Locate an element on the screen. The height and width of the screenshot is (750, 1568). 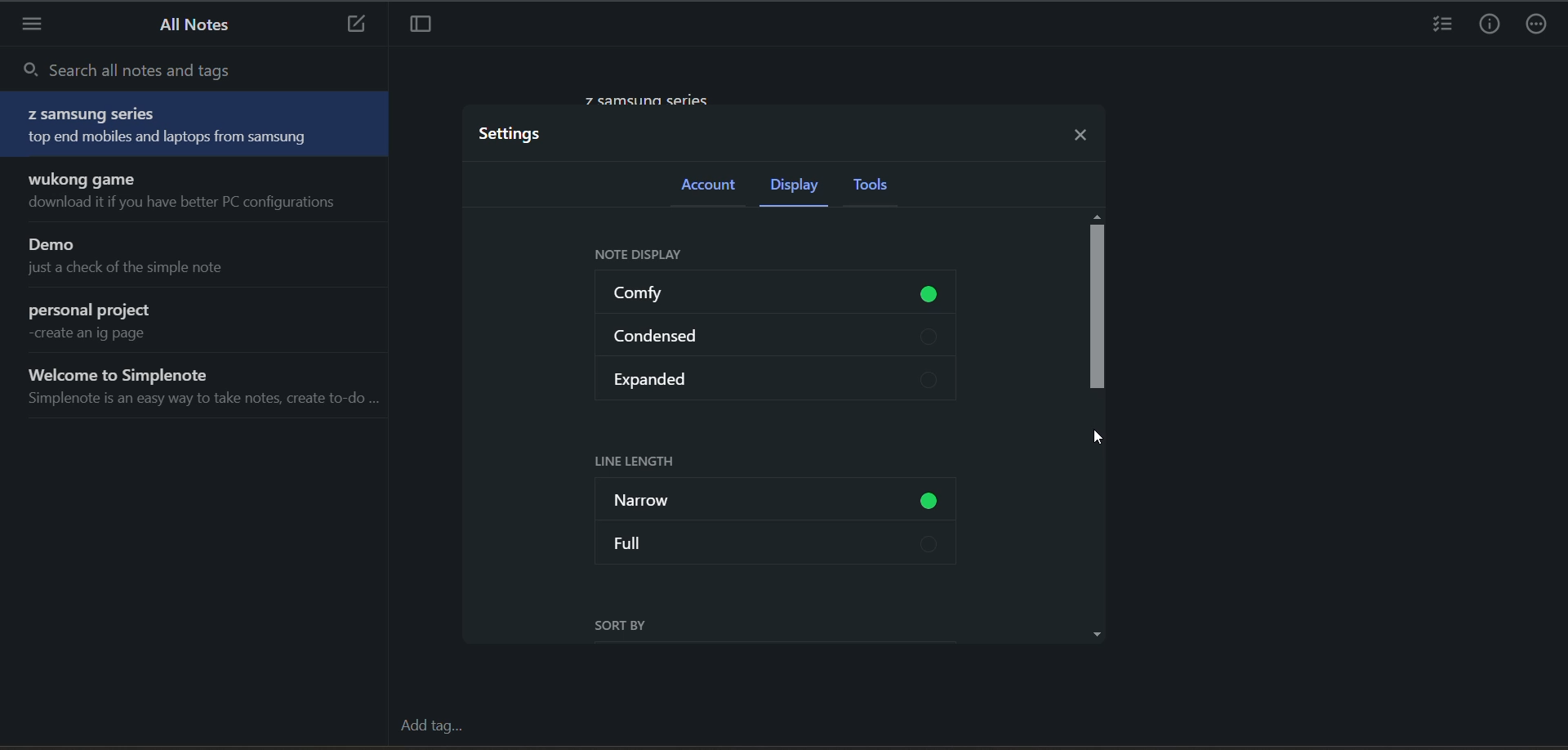
Demo
just a check of the simple note is located at coordinates (201, 257).